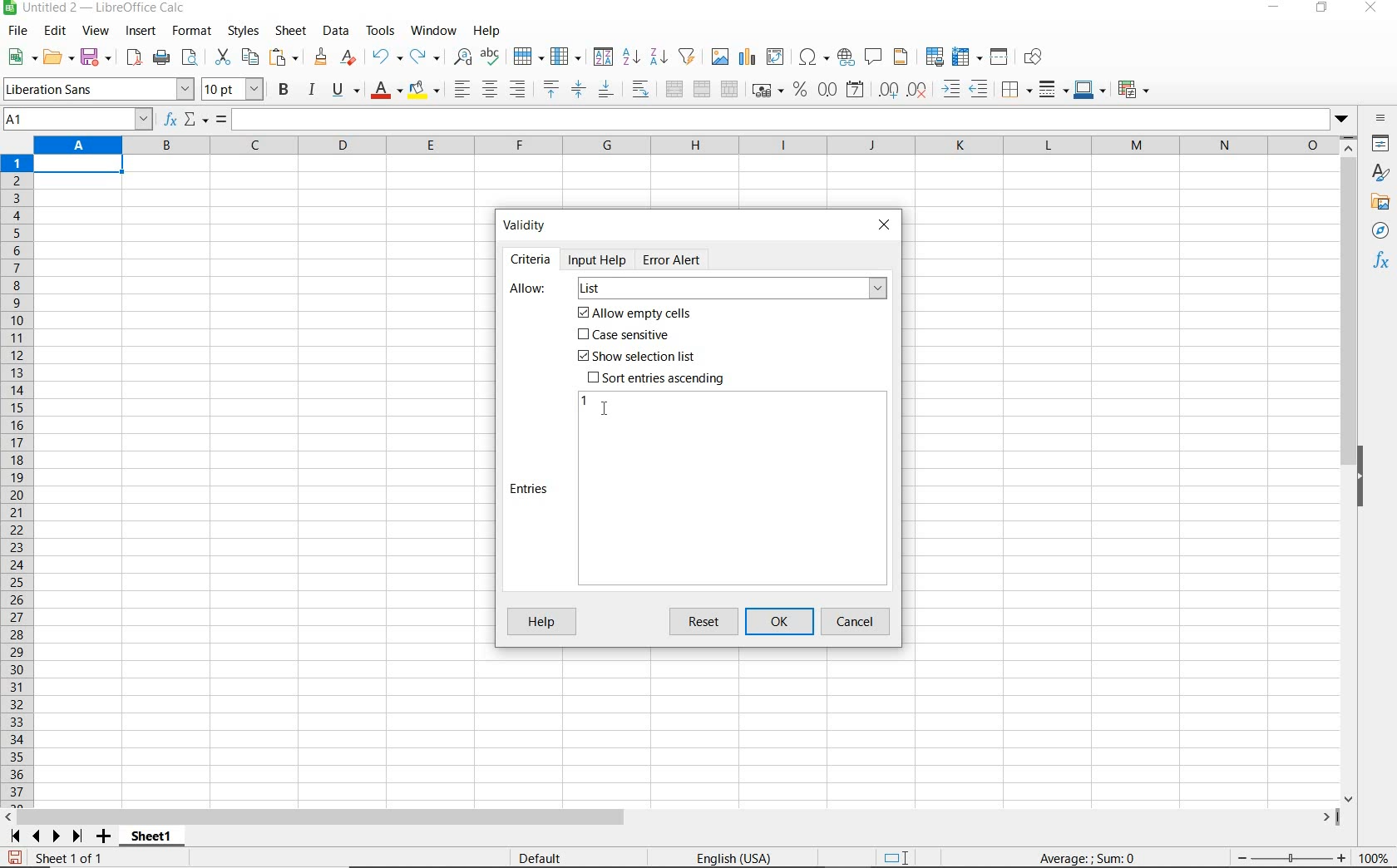 This screenshot has height=868, width=1397. I want to click on autofilter, so click(686, 57).